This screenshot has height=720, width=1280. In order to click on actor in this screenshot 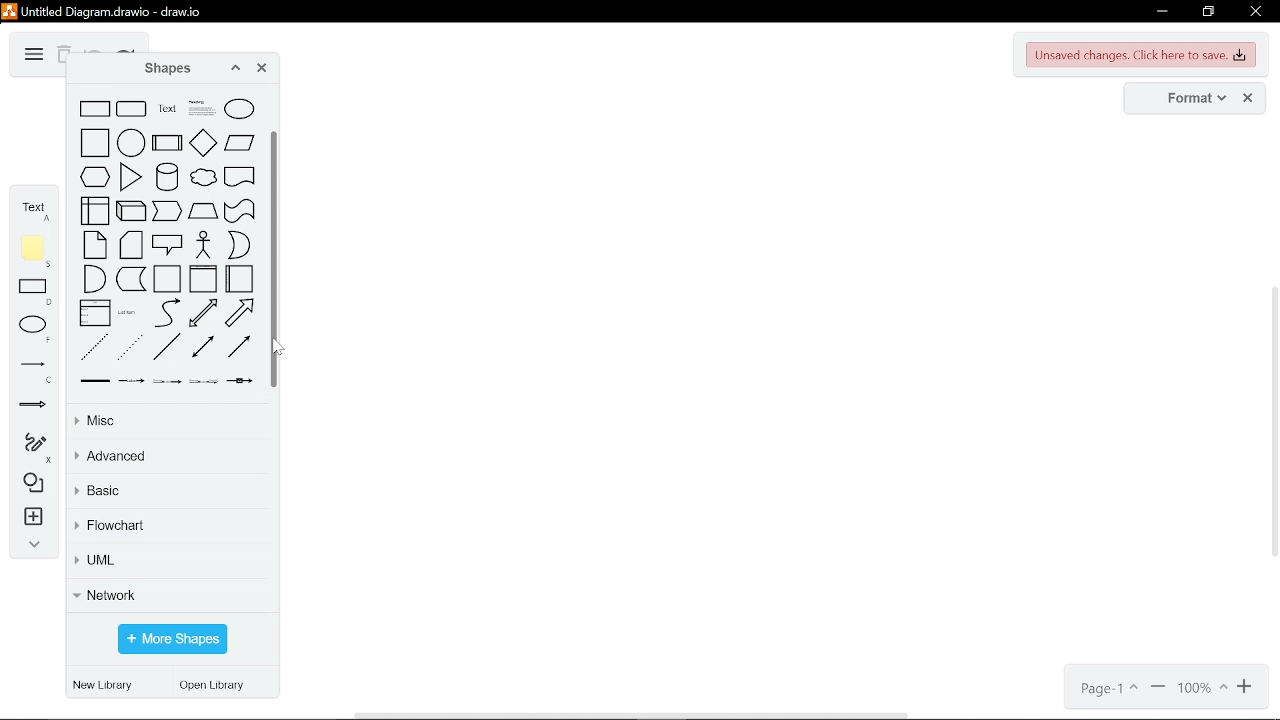, I will do `click(205, 245)`.